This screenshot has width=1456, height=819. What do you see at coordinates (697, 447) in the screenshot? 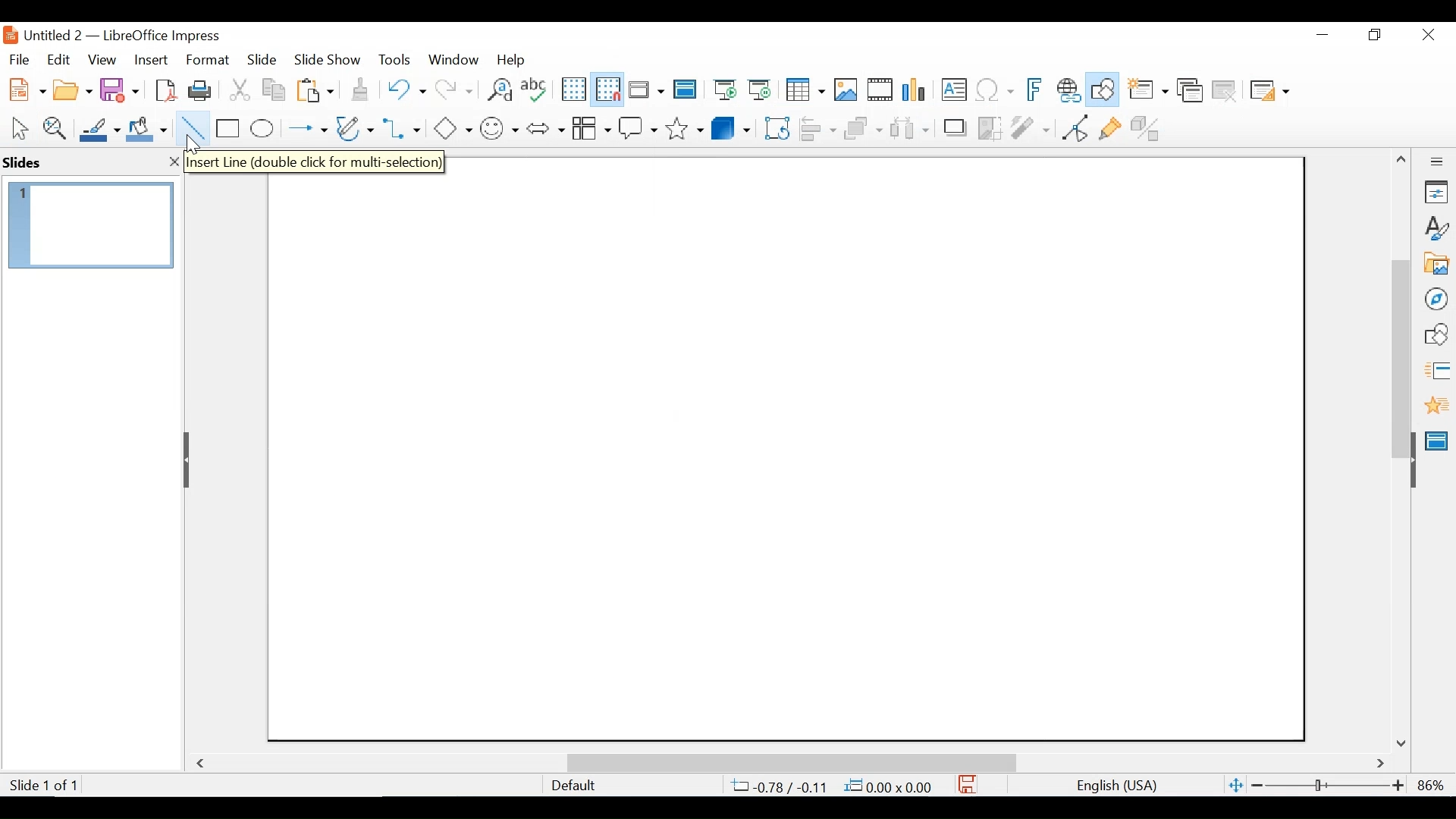
I see `Cursor` at bounding box center [697, 447].